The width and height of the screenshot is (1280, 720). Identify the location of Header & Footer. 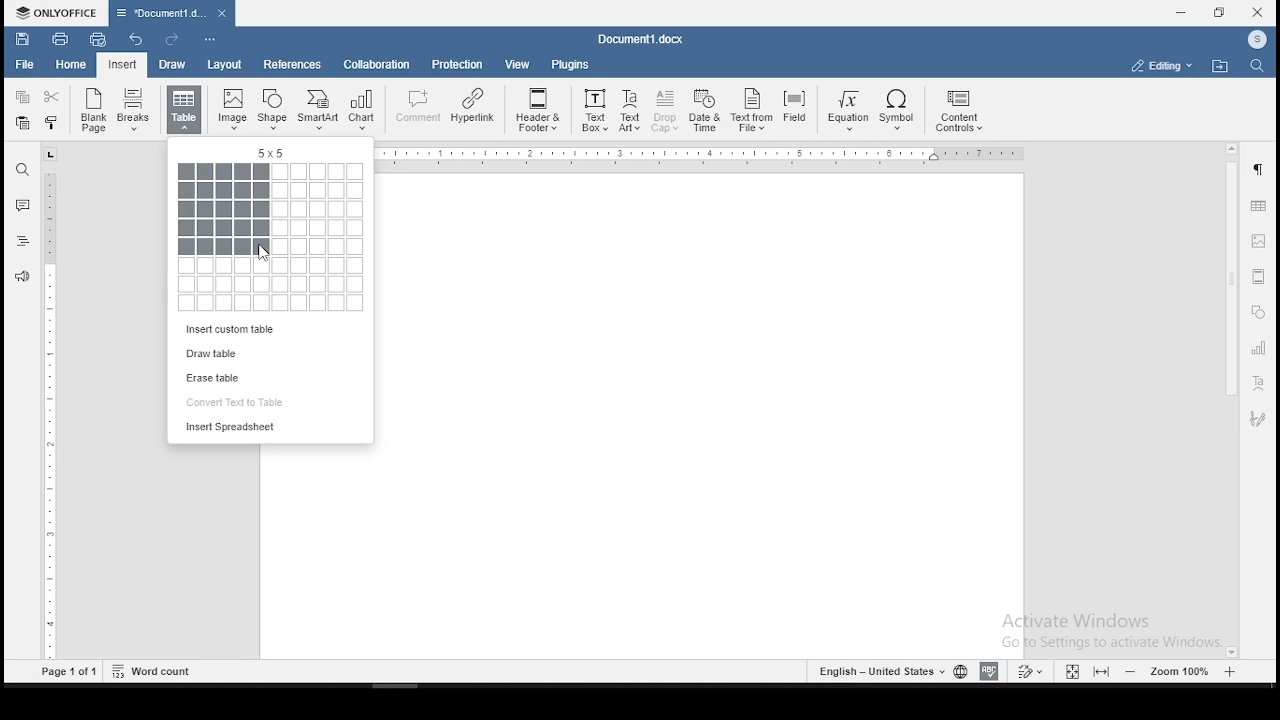
(537, 110).